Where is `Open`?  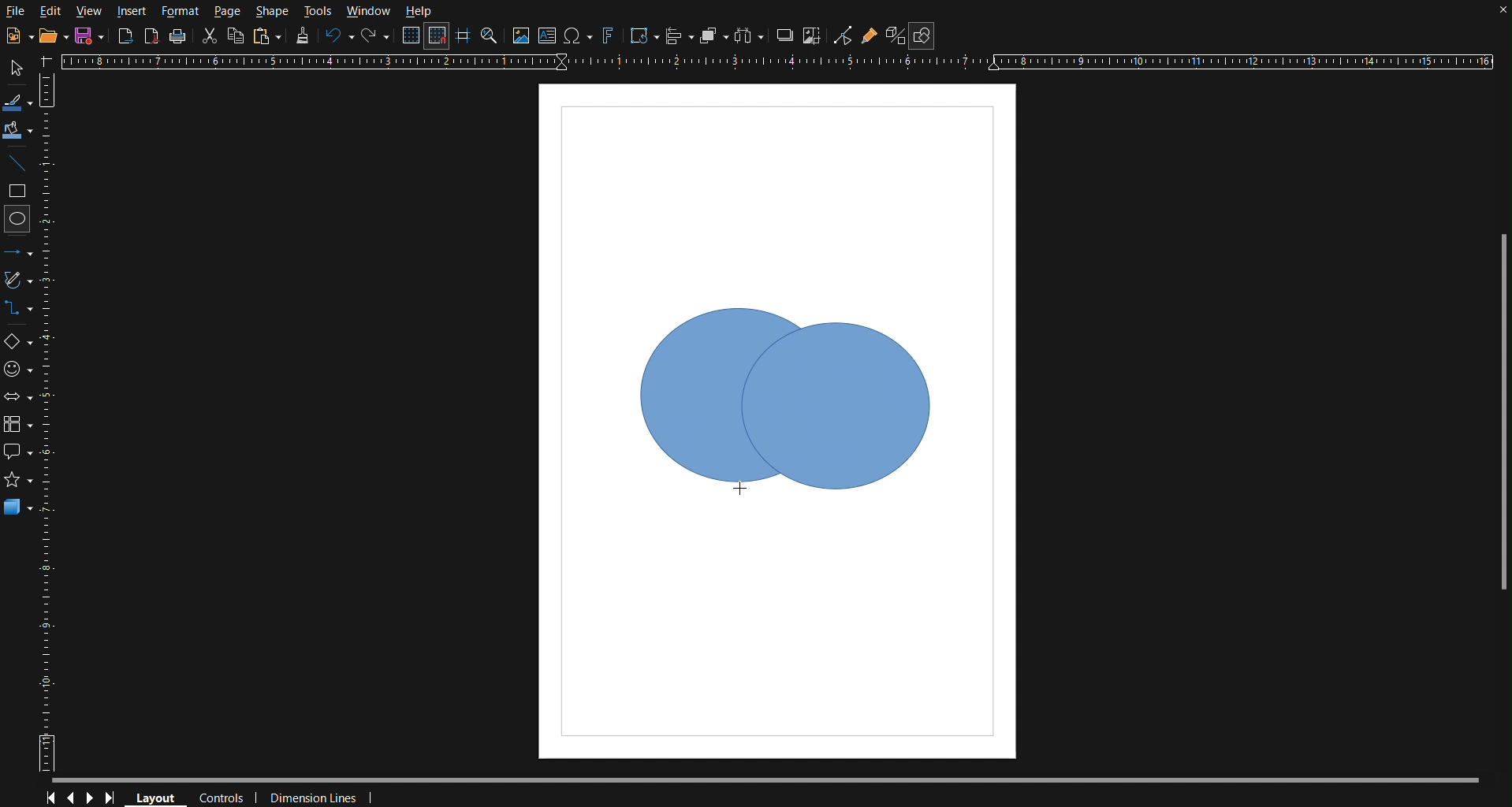 Open is located at coordinates (49, 35).